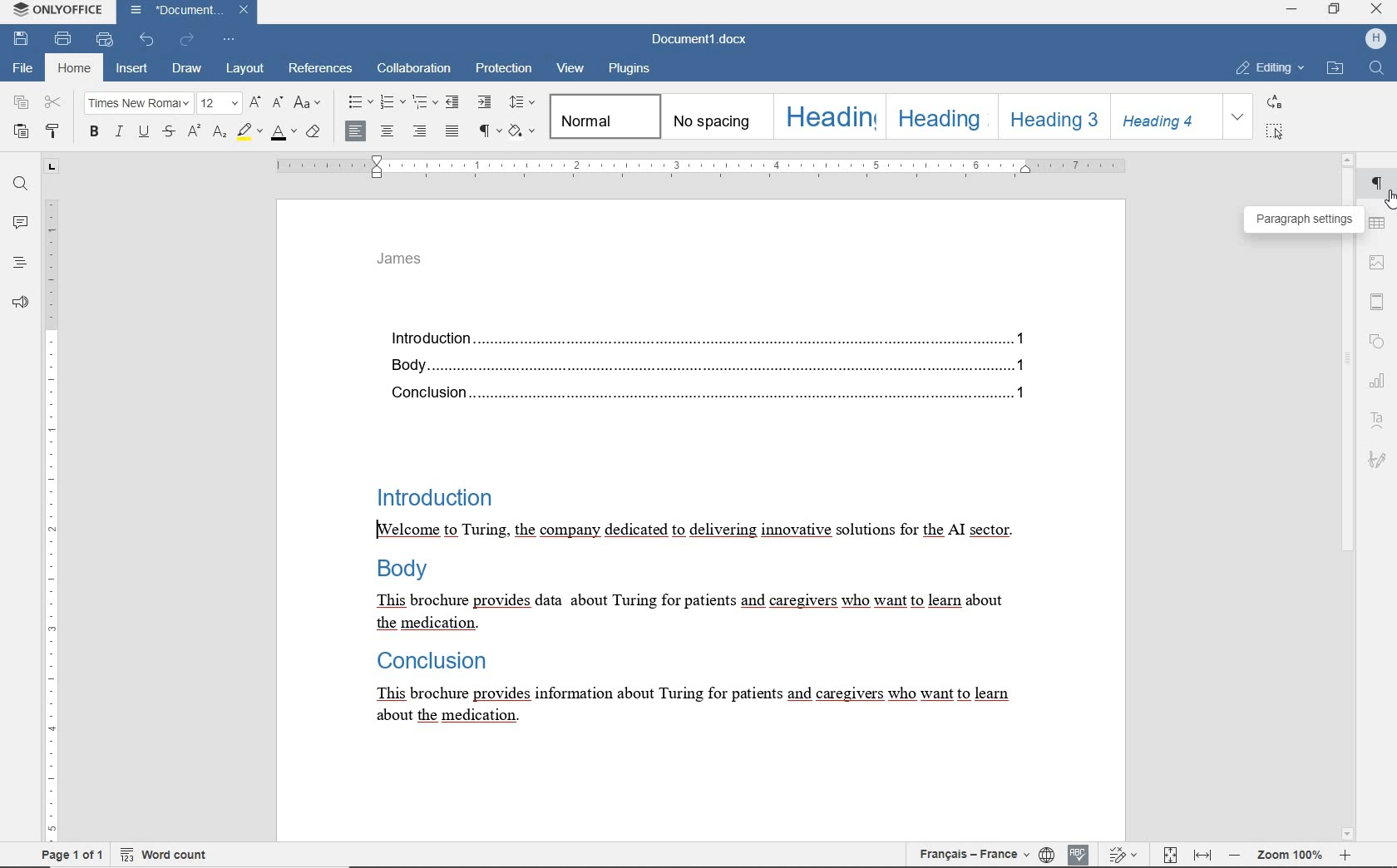 The width and height of the screenshot is (1397, 868). I want to click on chart, so click(1380, 382).